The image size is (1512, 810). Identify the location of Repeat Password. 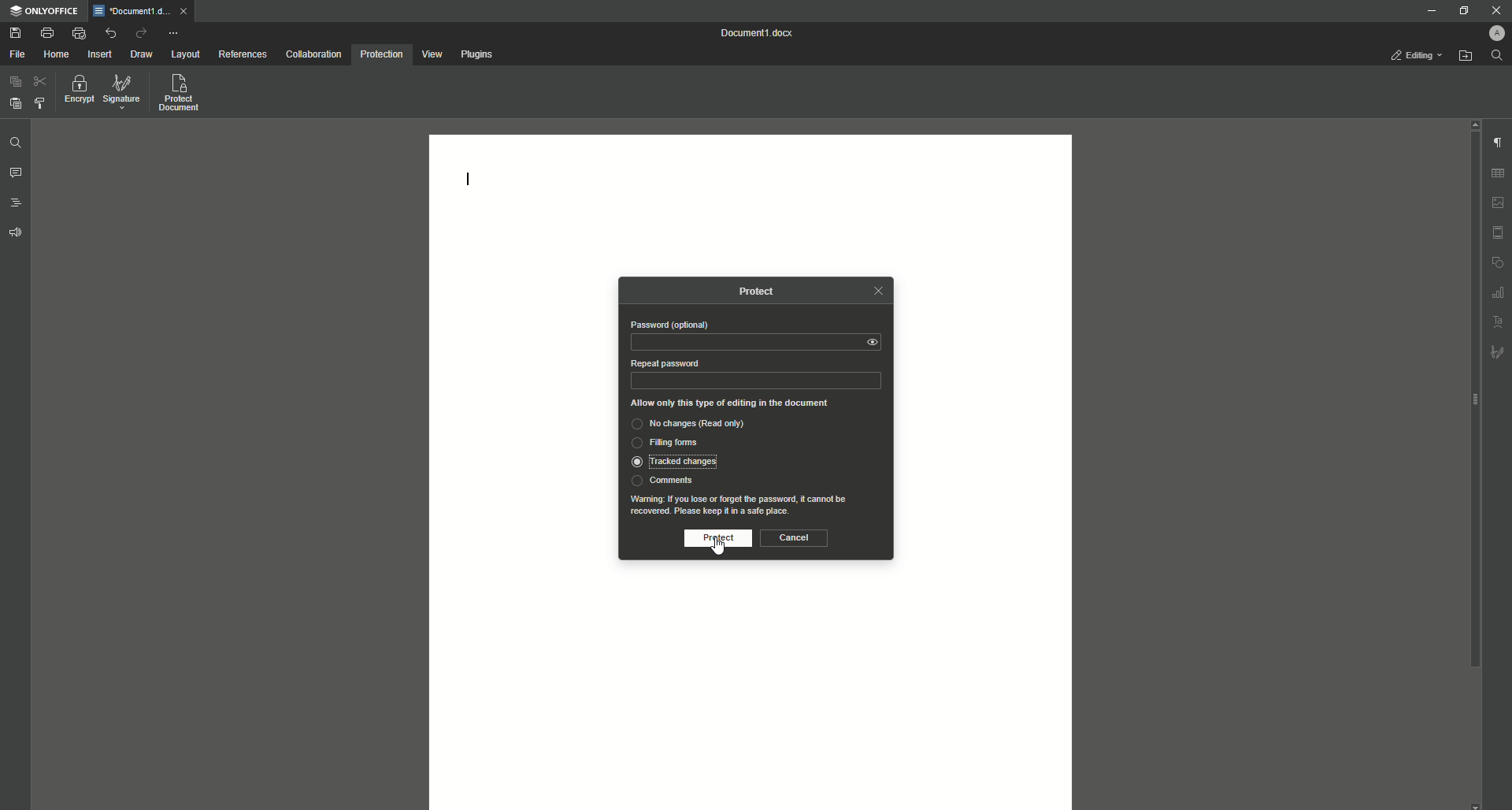
(758, 381).